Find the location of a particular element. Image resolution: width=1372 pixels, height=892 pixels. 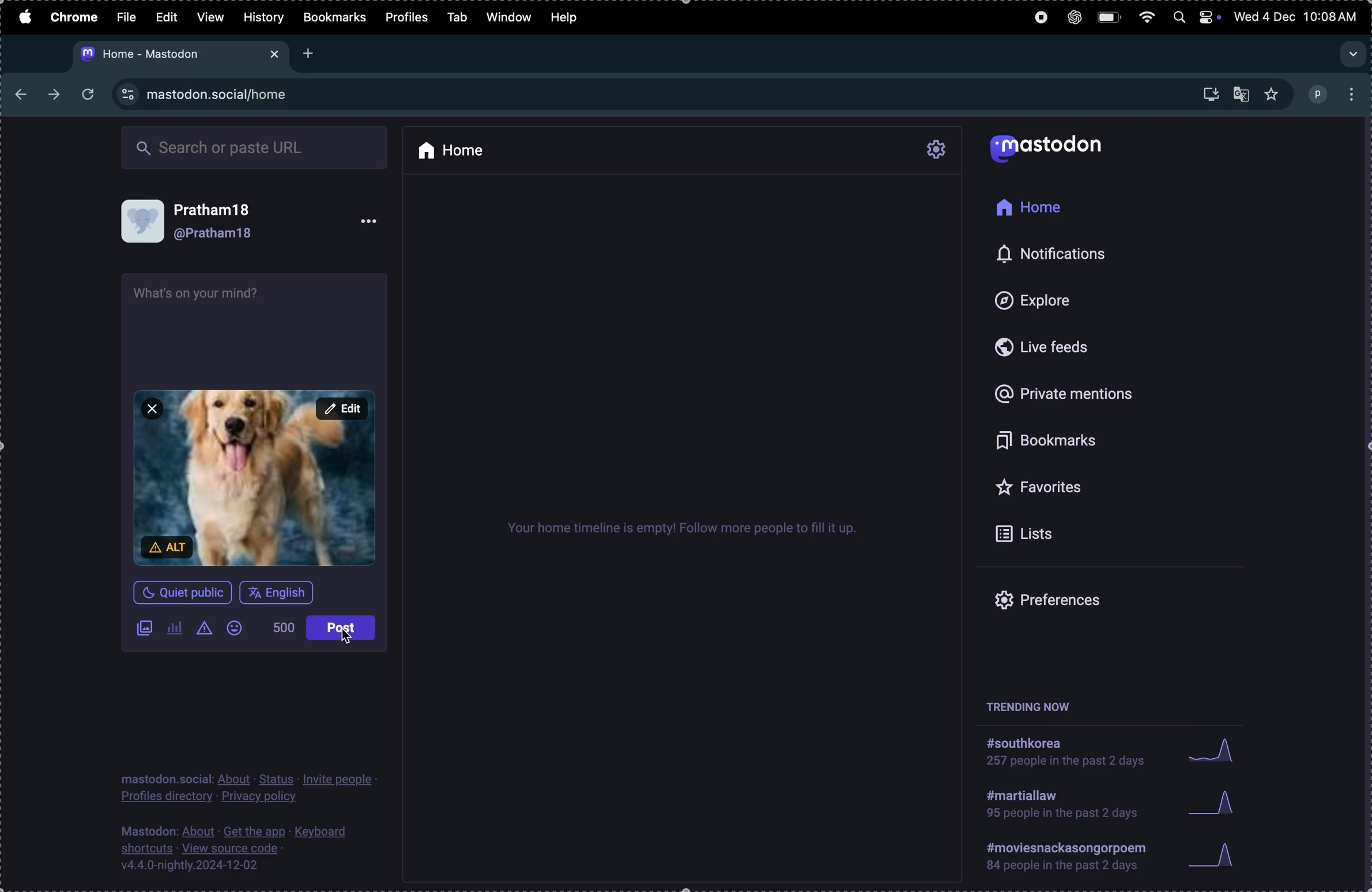

Bookmarks is located at coordinates (1056, 440).